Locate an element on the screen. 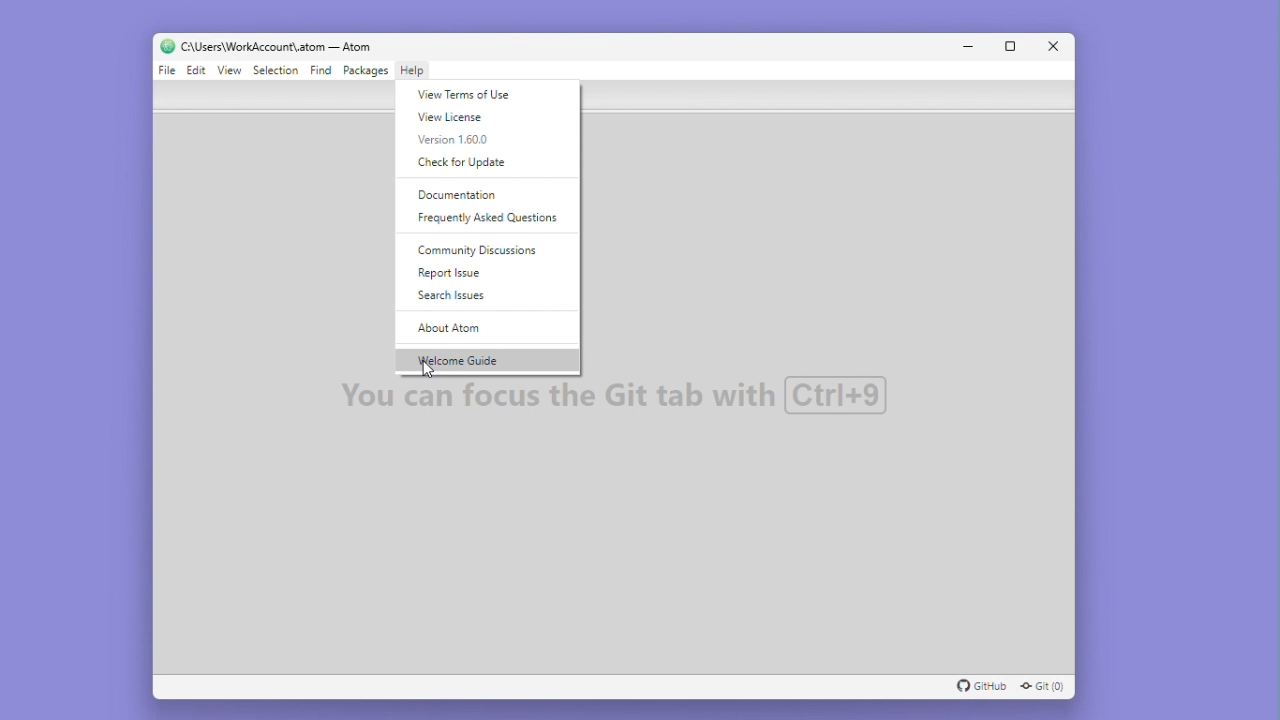  GitHub is located at coordinates (986, 686).